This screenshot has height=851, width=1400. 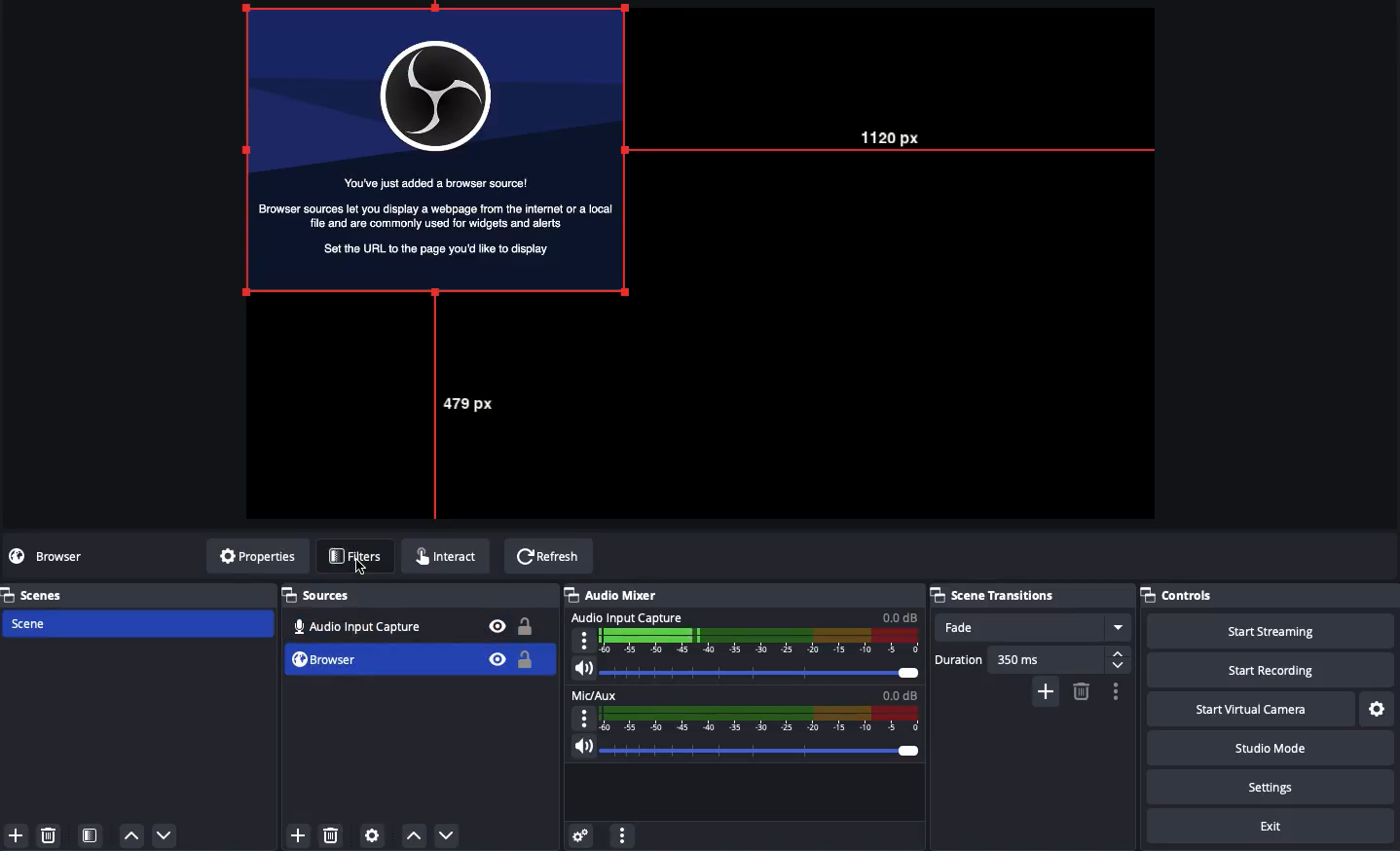 What do you see at coordinates (413, 837) in the screenshot?
I see `Move up` at bounding box center [413, 837].